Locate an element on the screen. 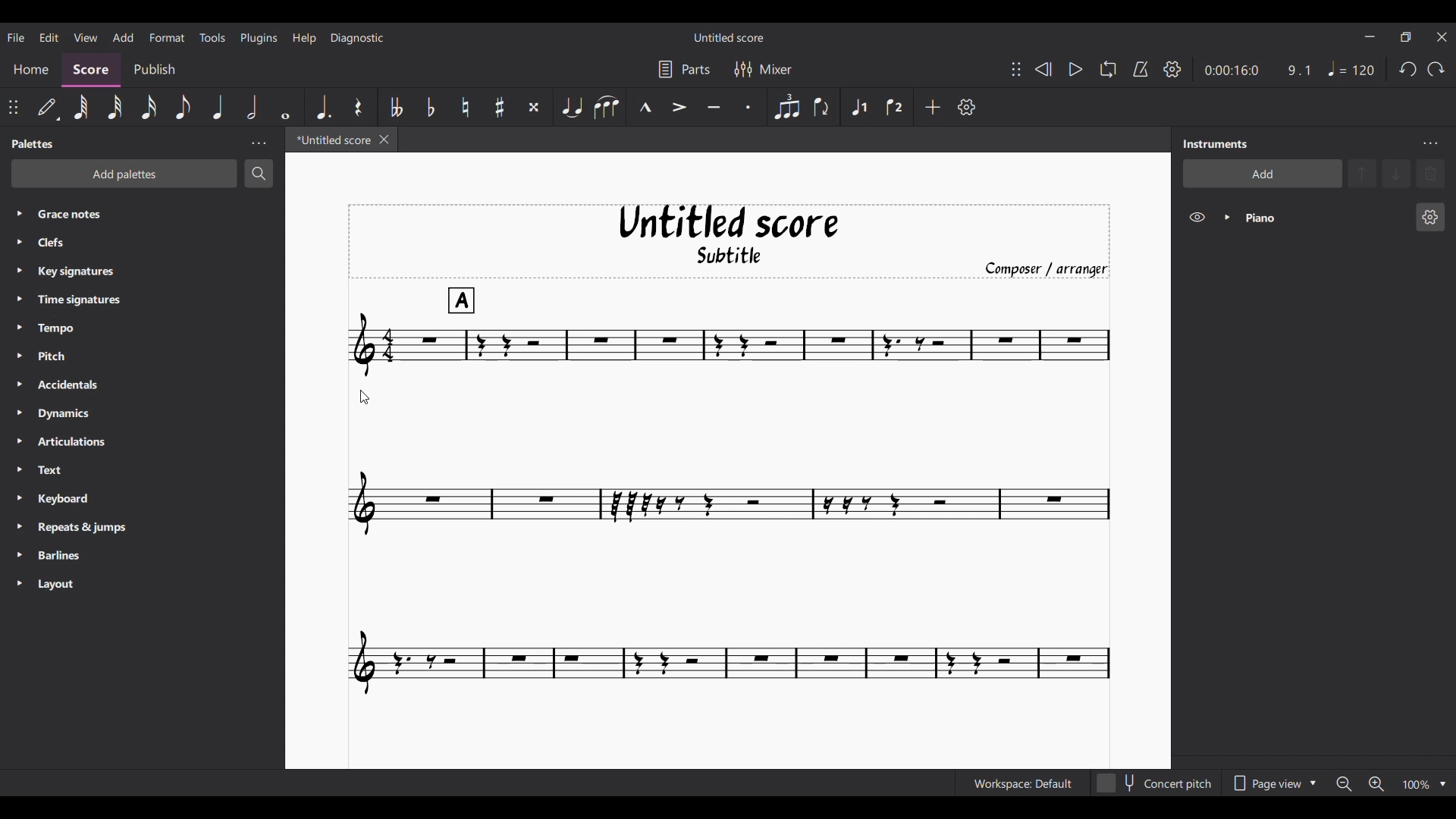 The width and height of the screenshot is (1456, 819). Minimize is located at coordinates (1369, 36).